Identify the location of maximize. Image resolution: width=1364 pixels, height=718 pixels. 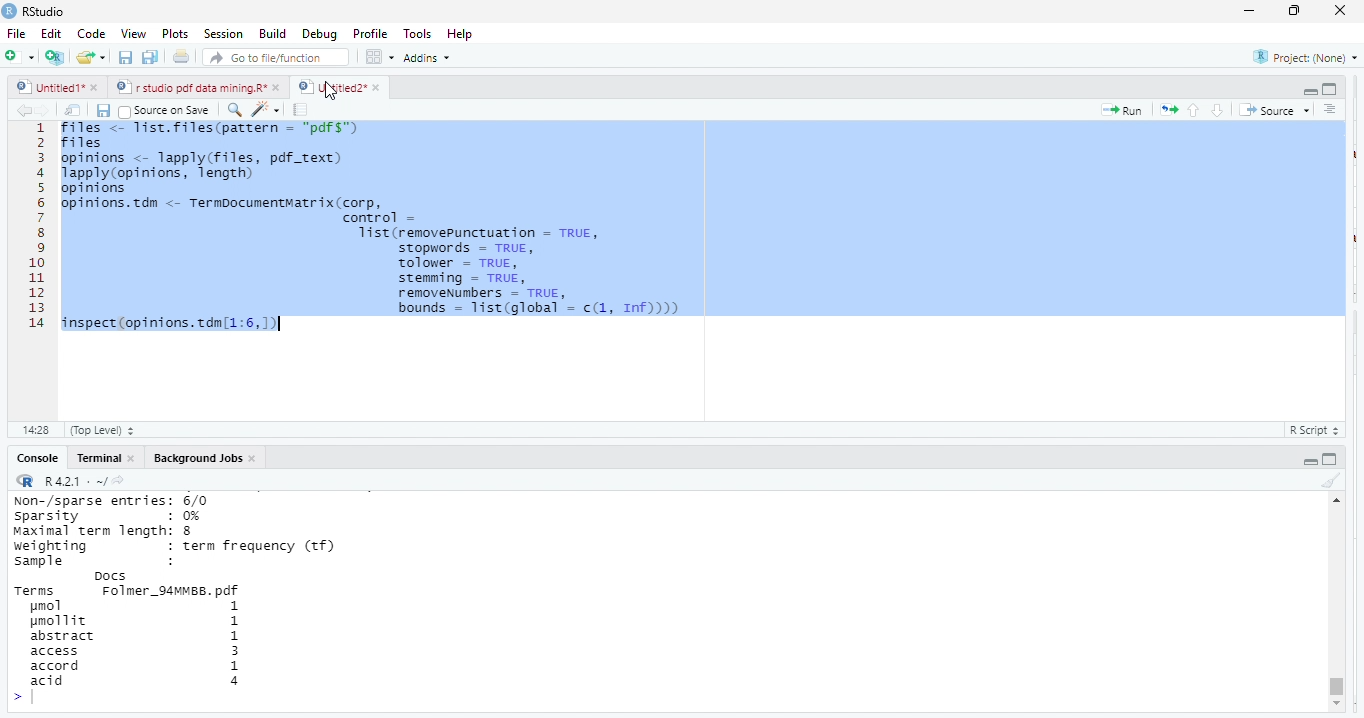
(1297, 12).